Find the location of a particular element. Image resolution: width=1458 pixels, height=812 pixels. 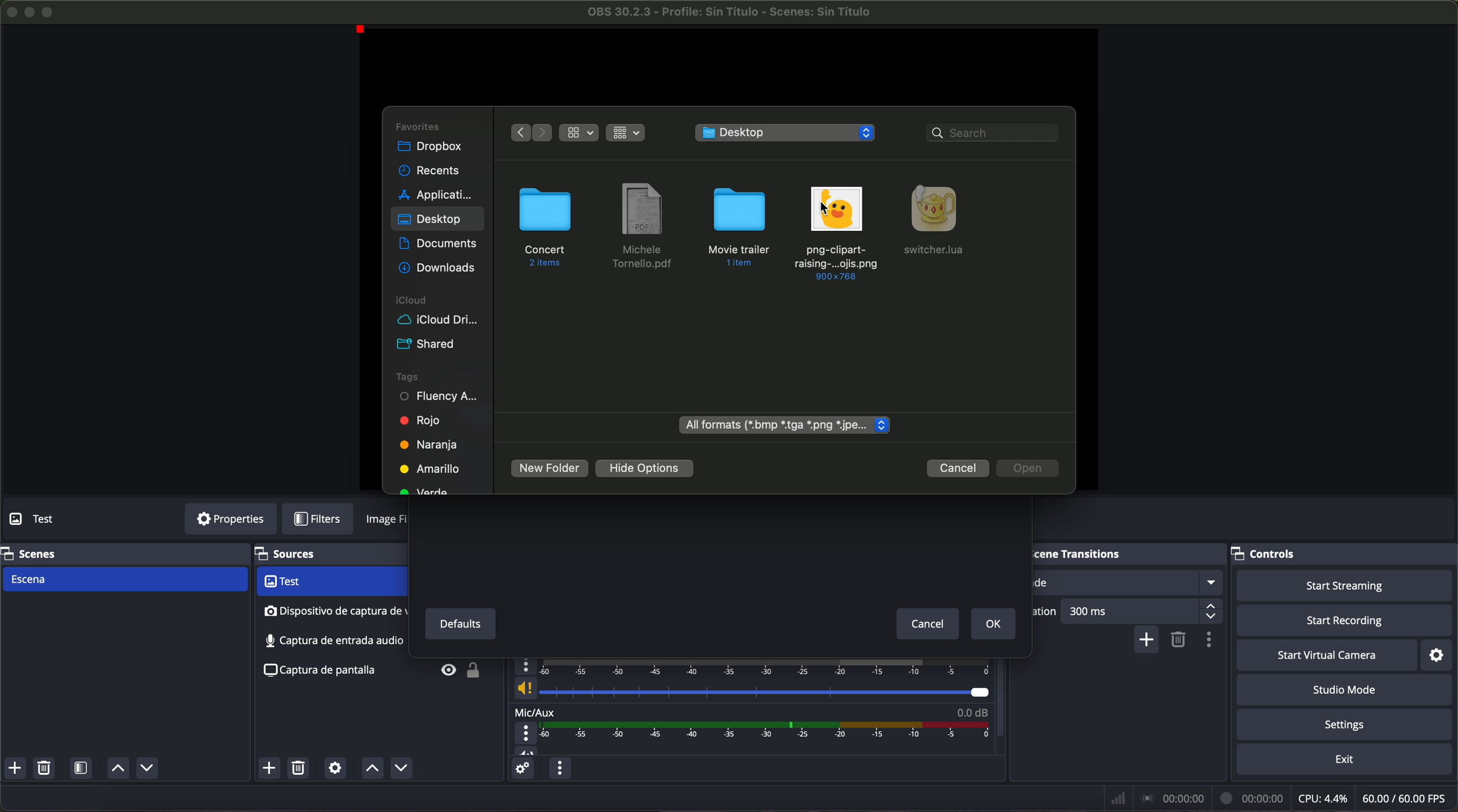

move source up is located at coordinates (372, 768).